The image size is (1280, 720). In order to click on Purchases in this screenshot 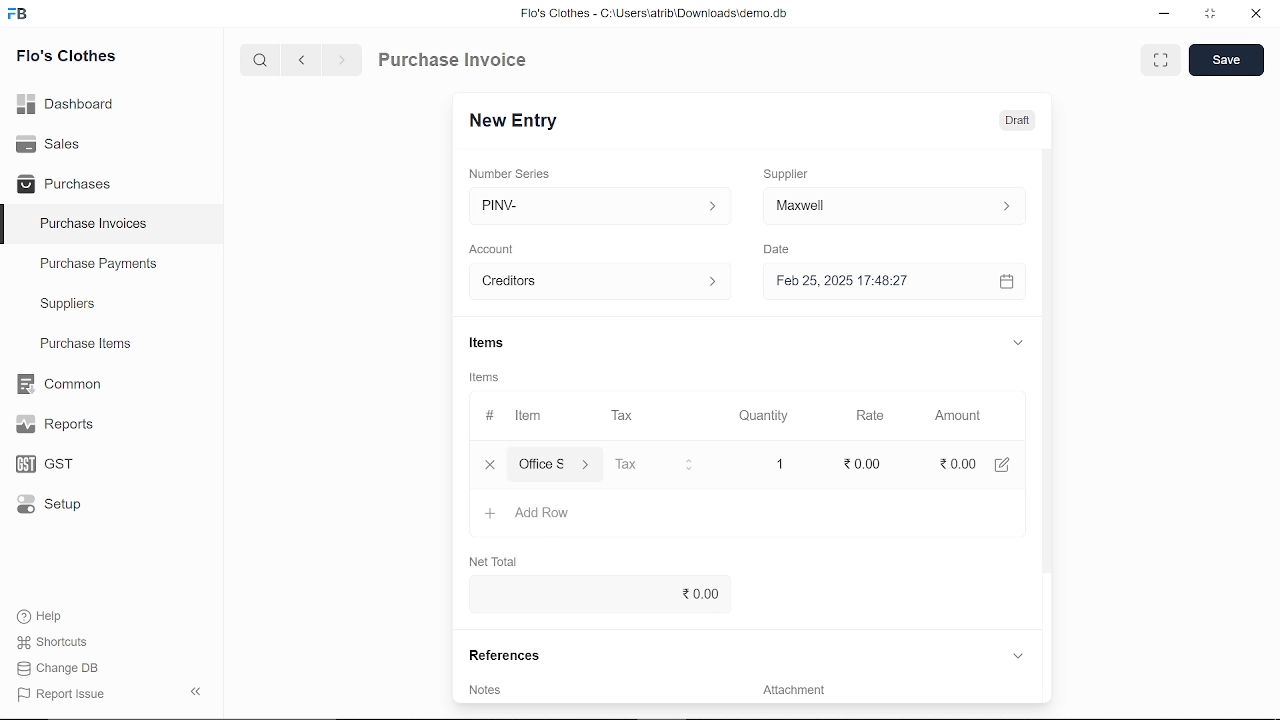, I will do `click(64, 182)`.